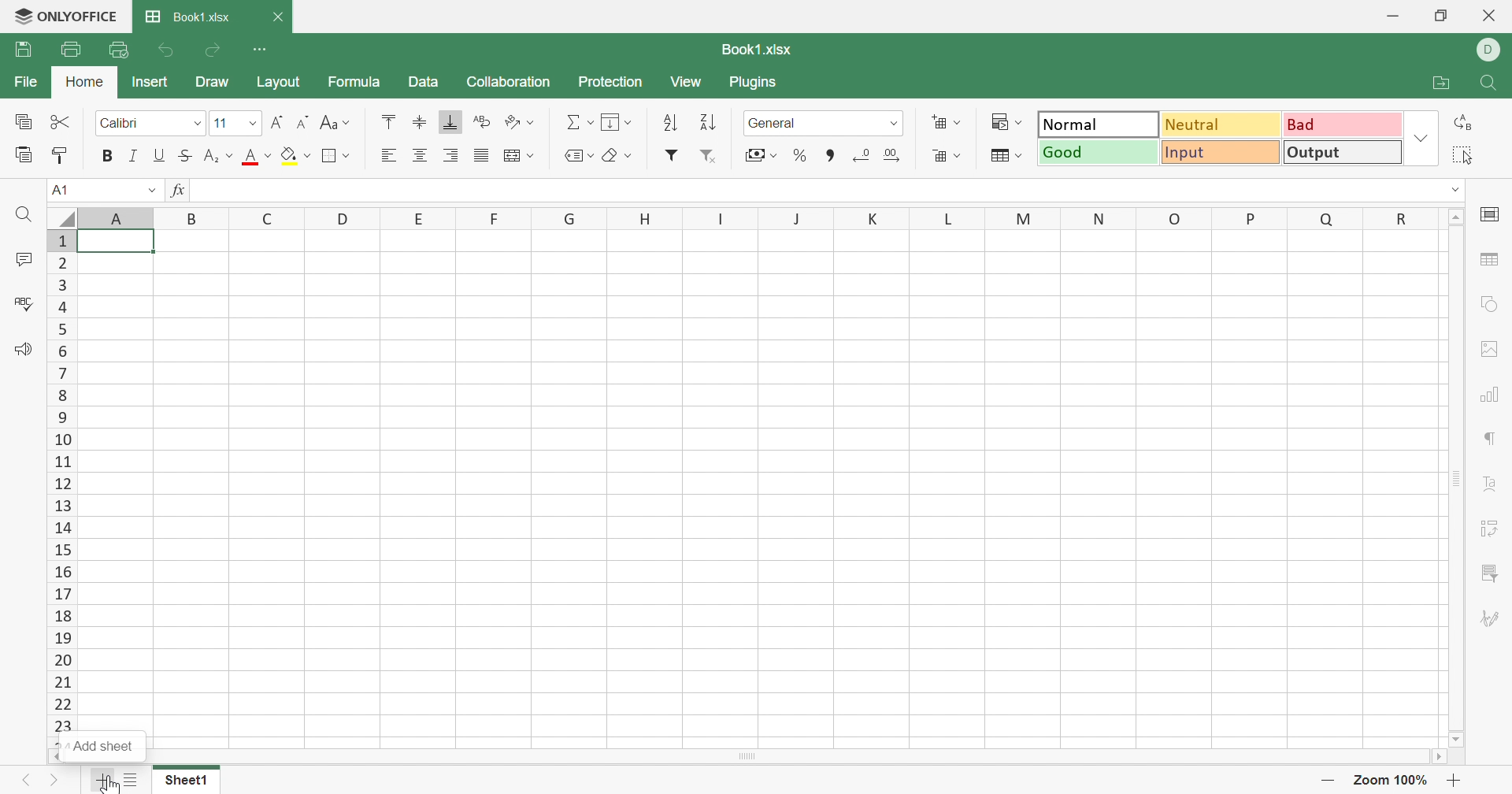 The height and width of the screenshot is (794, 1512). Describe the element at coordinates (1493, 82) in the screenshot. I see `Find` at that location.